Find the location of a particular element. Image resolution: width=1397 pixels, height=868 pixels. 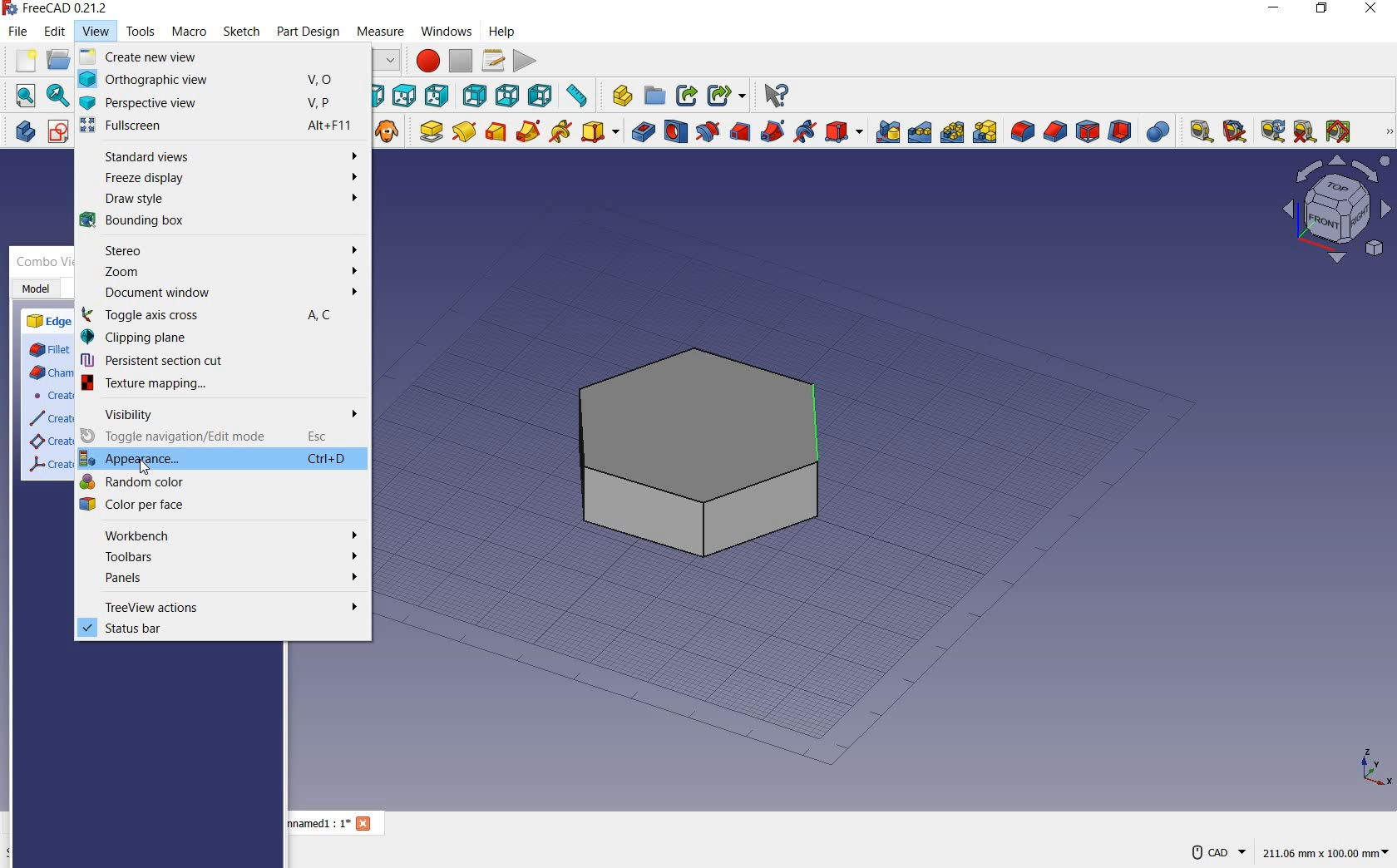

create a clone is located at coordinates (388, 132).